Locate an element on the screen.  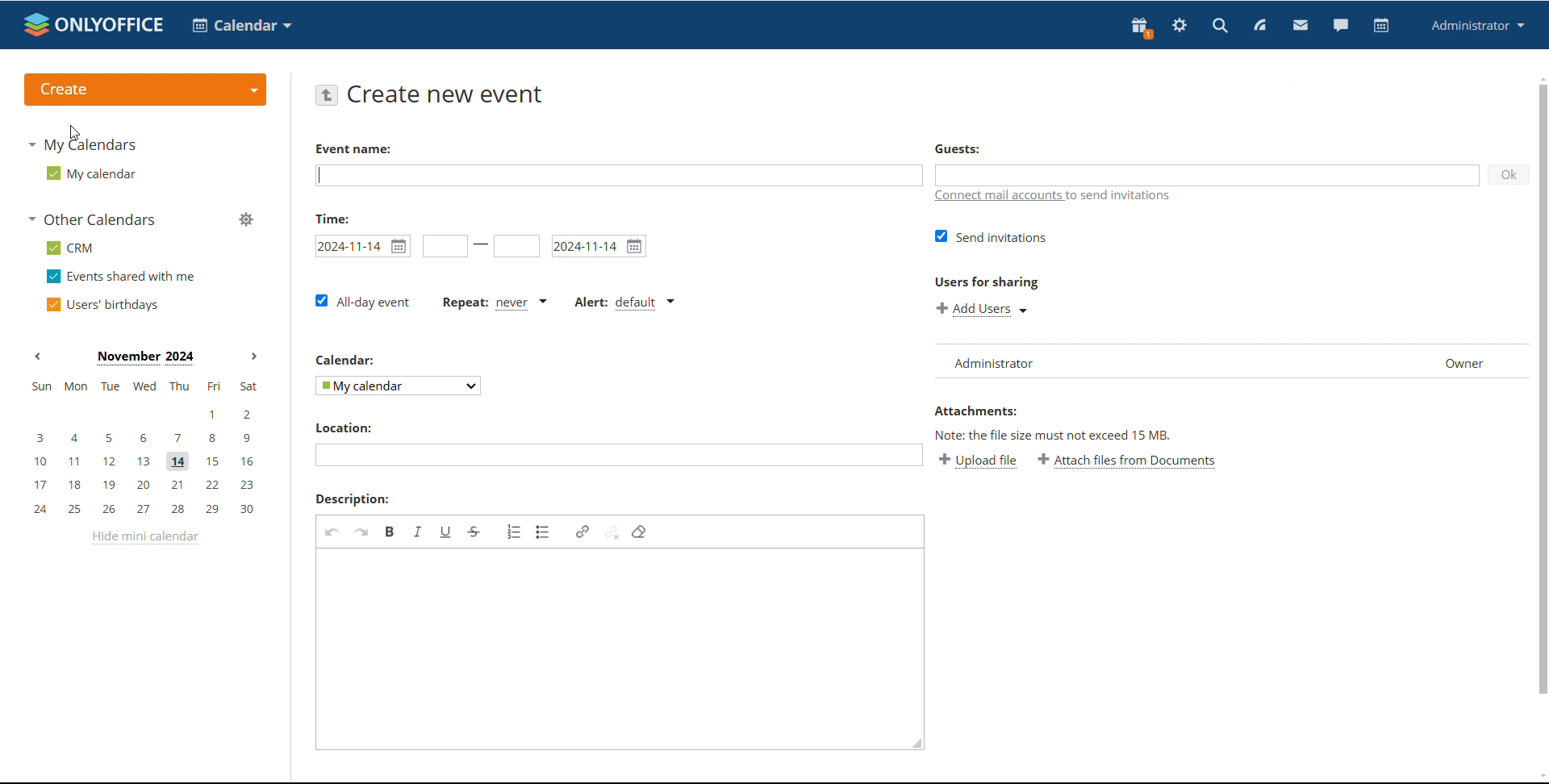
logo is located at coordinates (94, 24).